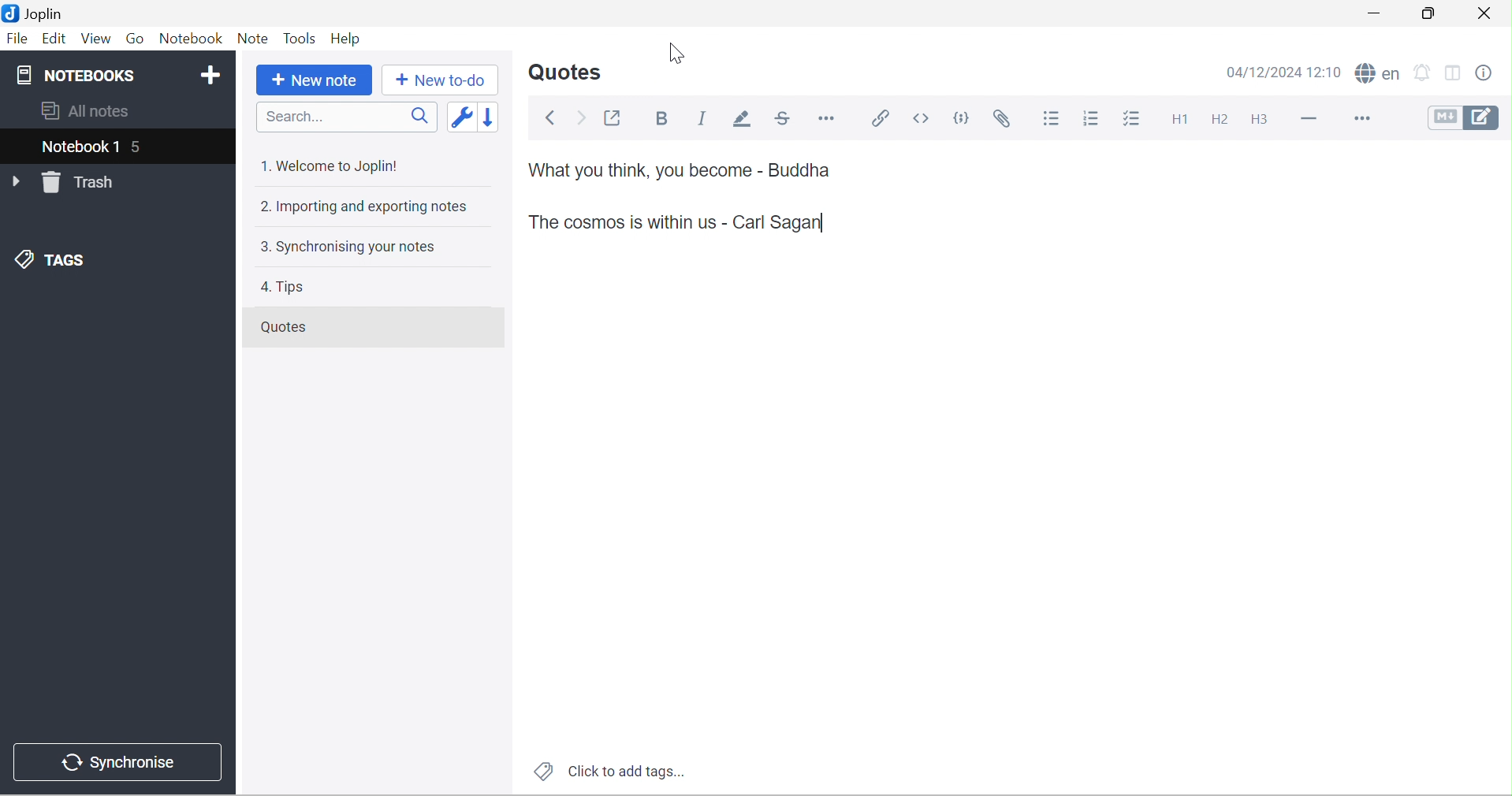 The height and width of the screenshot is (796, 1512). Describe the element at coordinates (782, 119) in the screenshot. I see `Strikethrough` at that location.